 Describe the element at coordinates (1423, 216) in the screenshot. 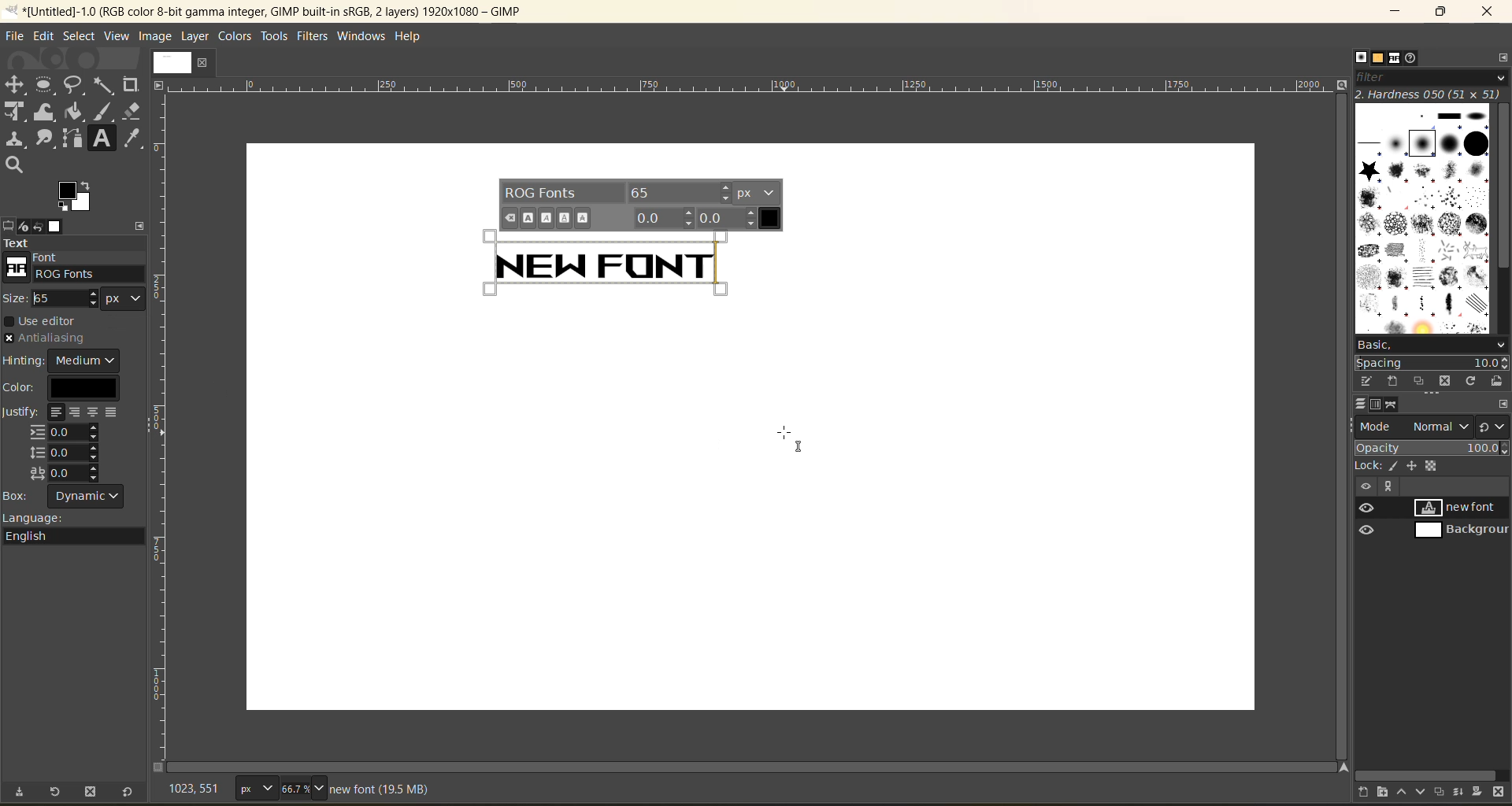

I see `options` at that location.